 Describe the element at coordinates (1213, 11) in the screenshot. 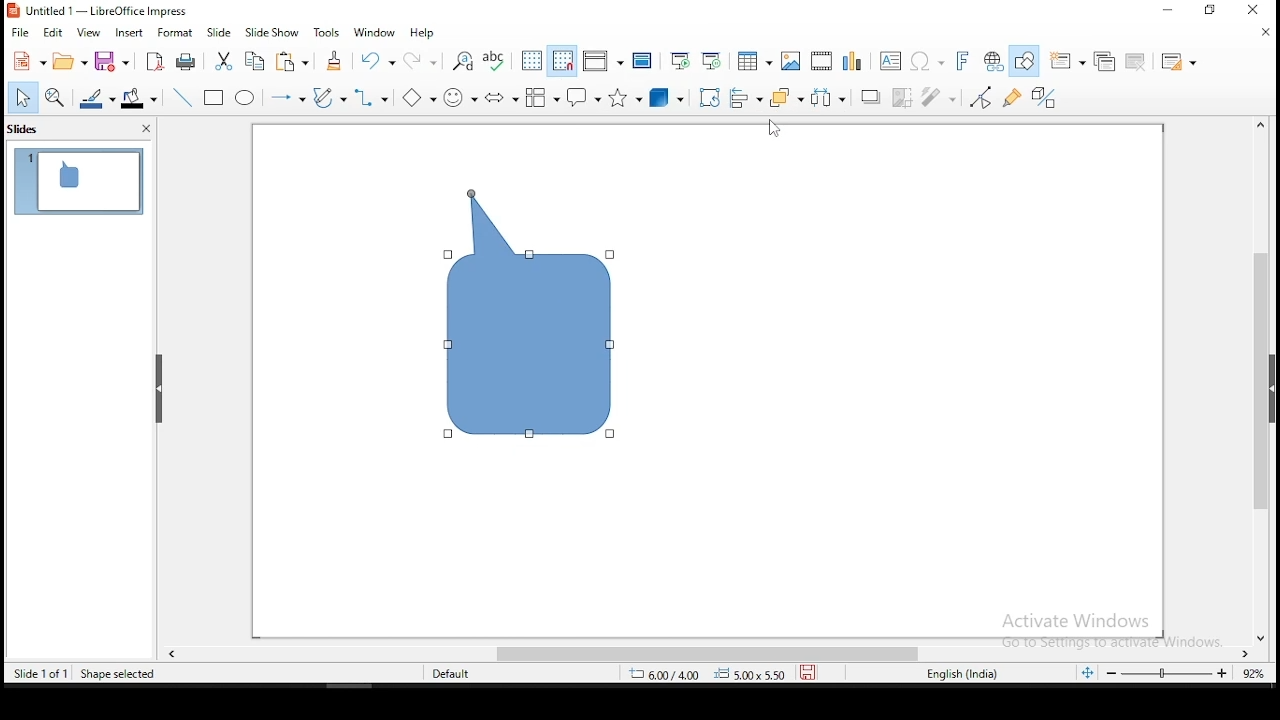

I see `minimize` at that location.